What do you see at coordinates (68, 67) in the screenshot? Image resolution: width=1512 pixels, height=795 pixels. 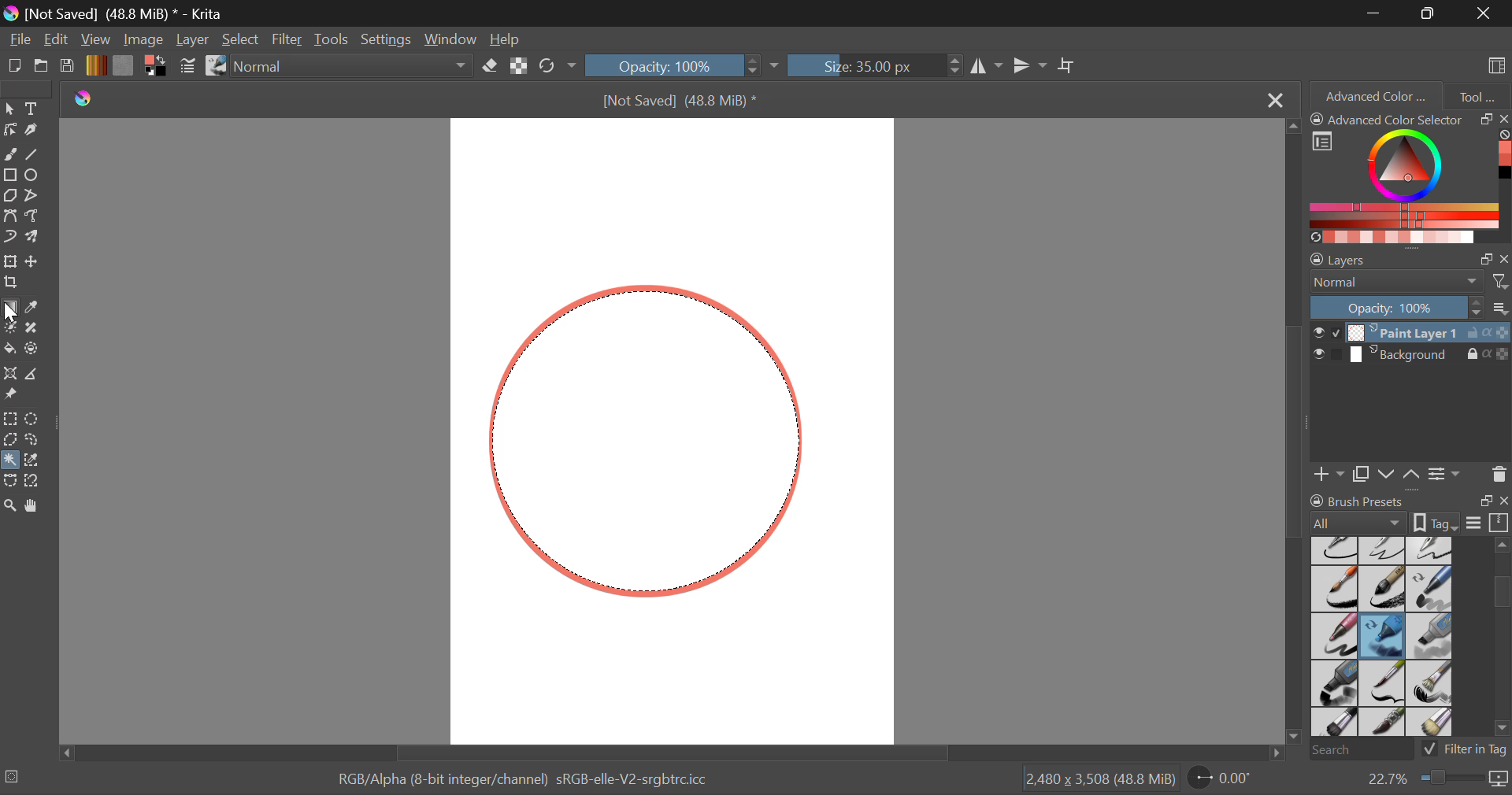 I see `Save` at bounding box center [68, 67].